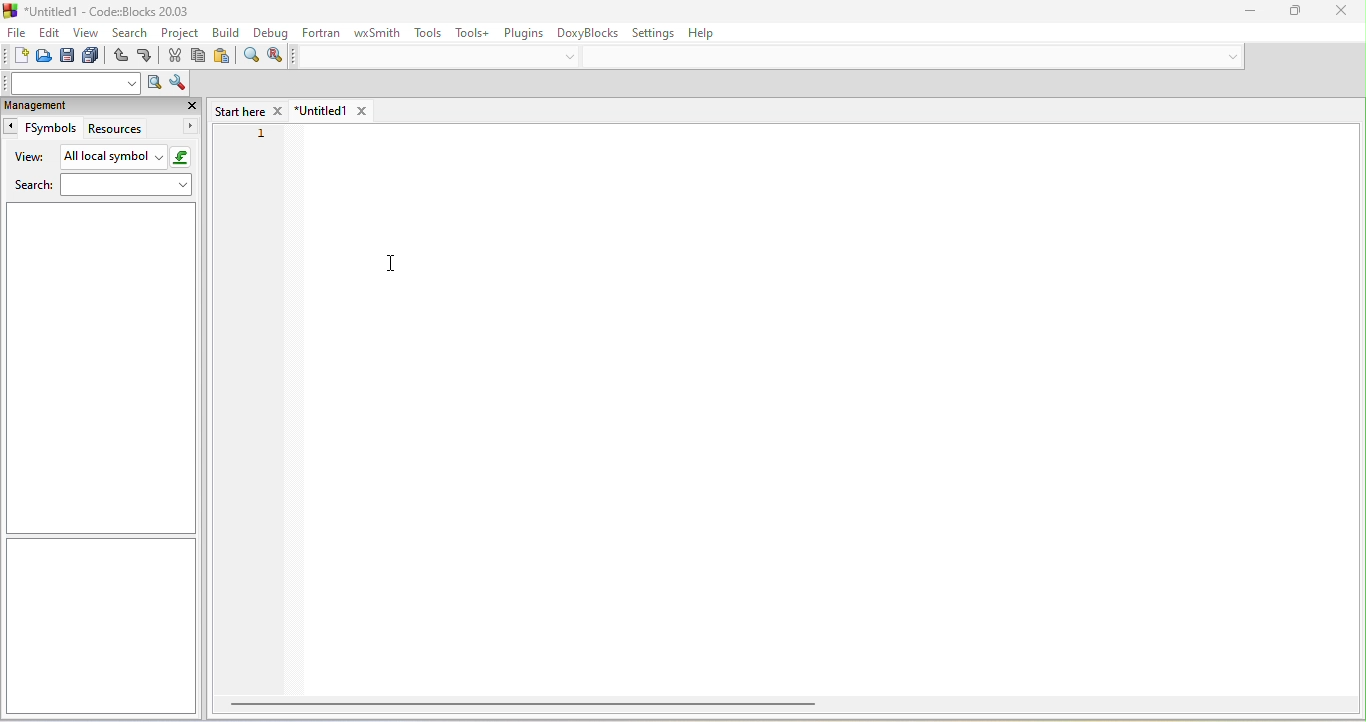 The image size is (1366, 722). Describe the element at coordinates (264, 134) in the screenshot. I see `1` at that location.